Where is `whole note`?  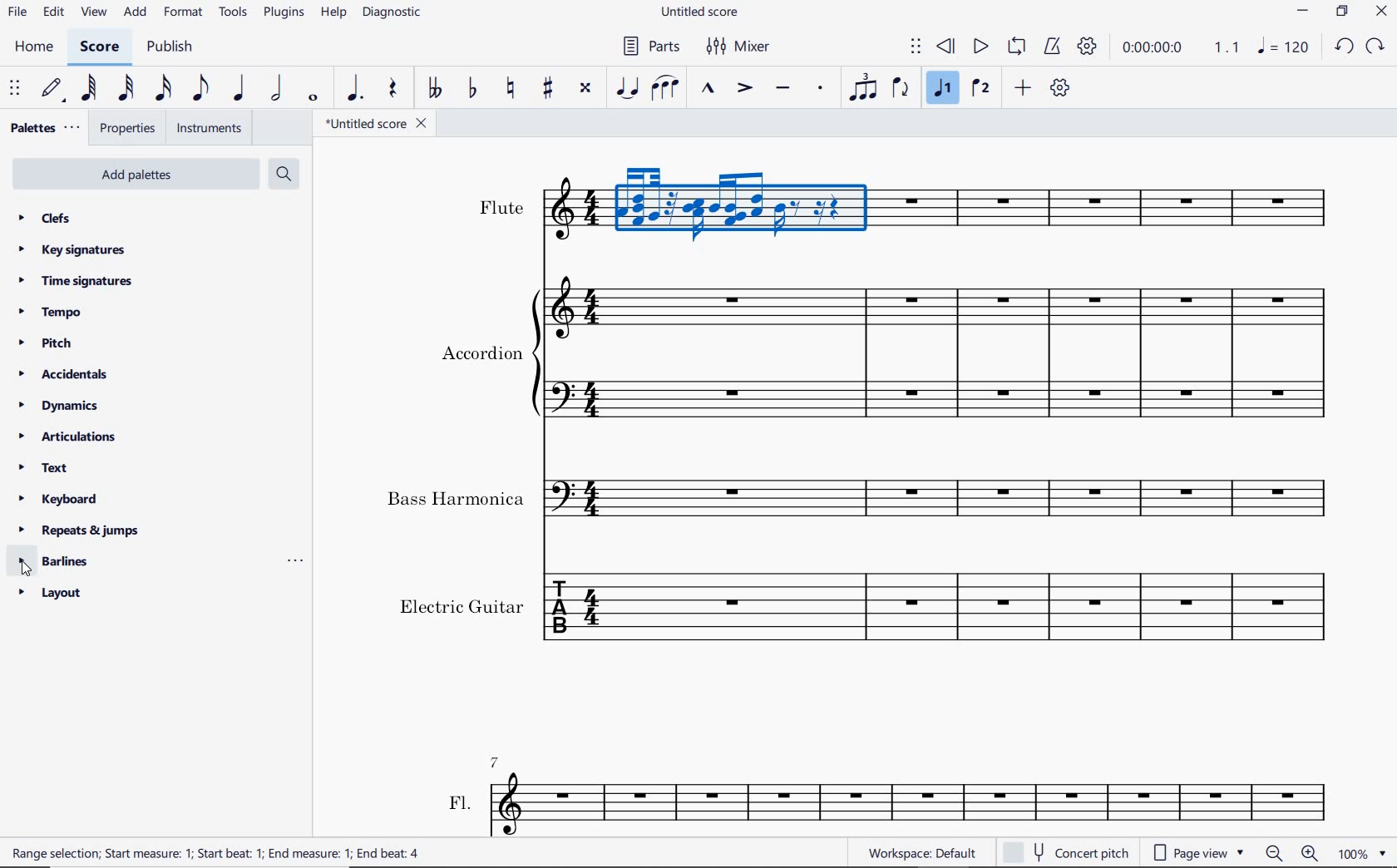 whole note is located at coordinates (313, 99).